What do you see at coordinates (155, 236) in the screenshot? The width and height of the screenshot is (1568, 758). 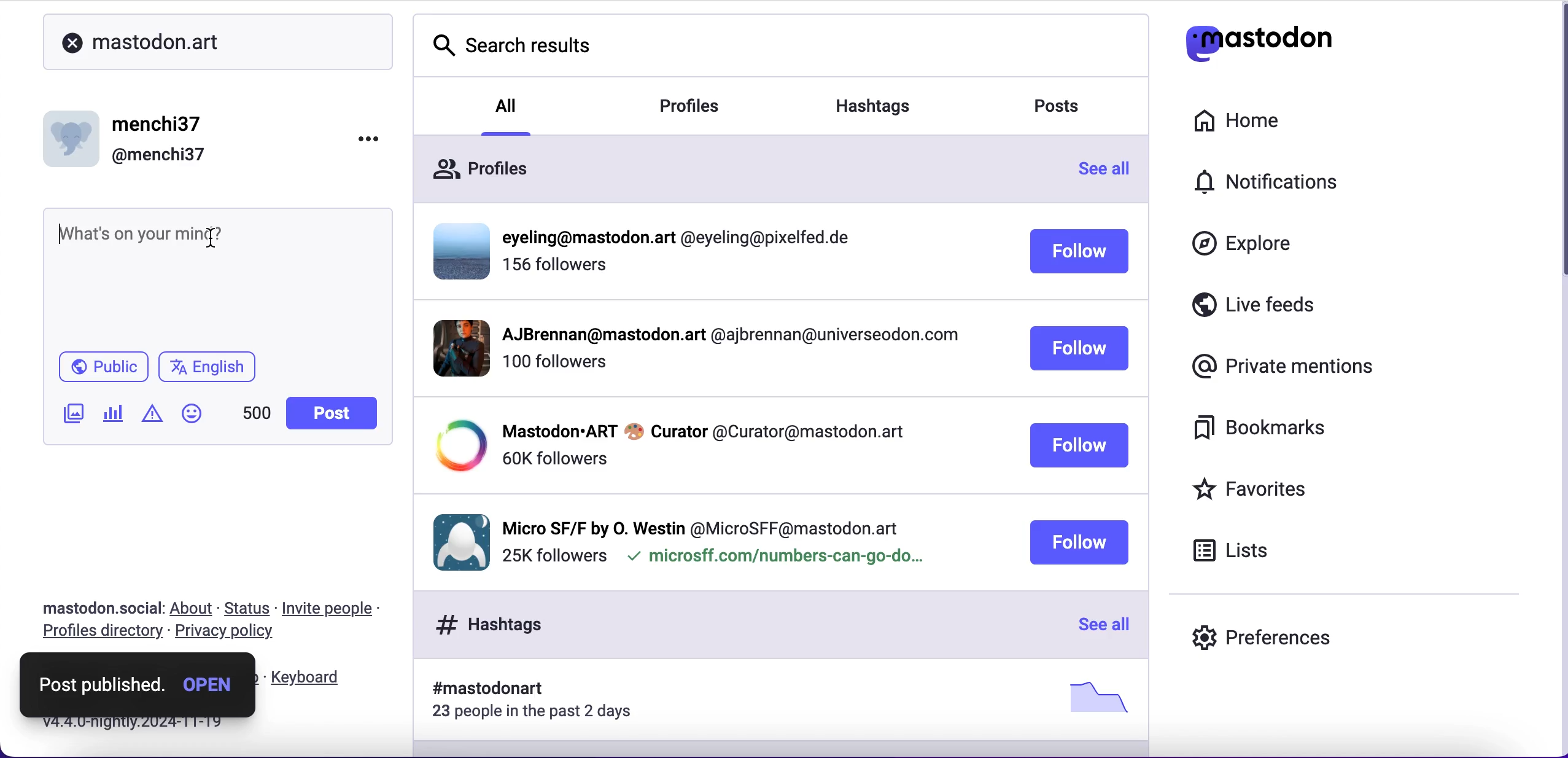 I see `text` at bounding box center [155, 236].